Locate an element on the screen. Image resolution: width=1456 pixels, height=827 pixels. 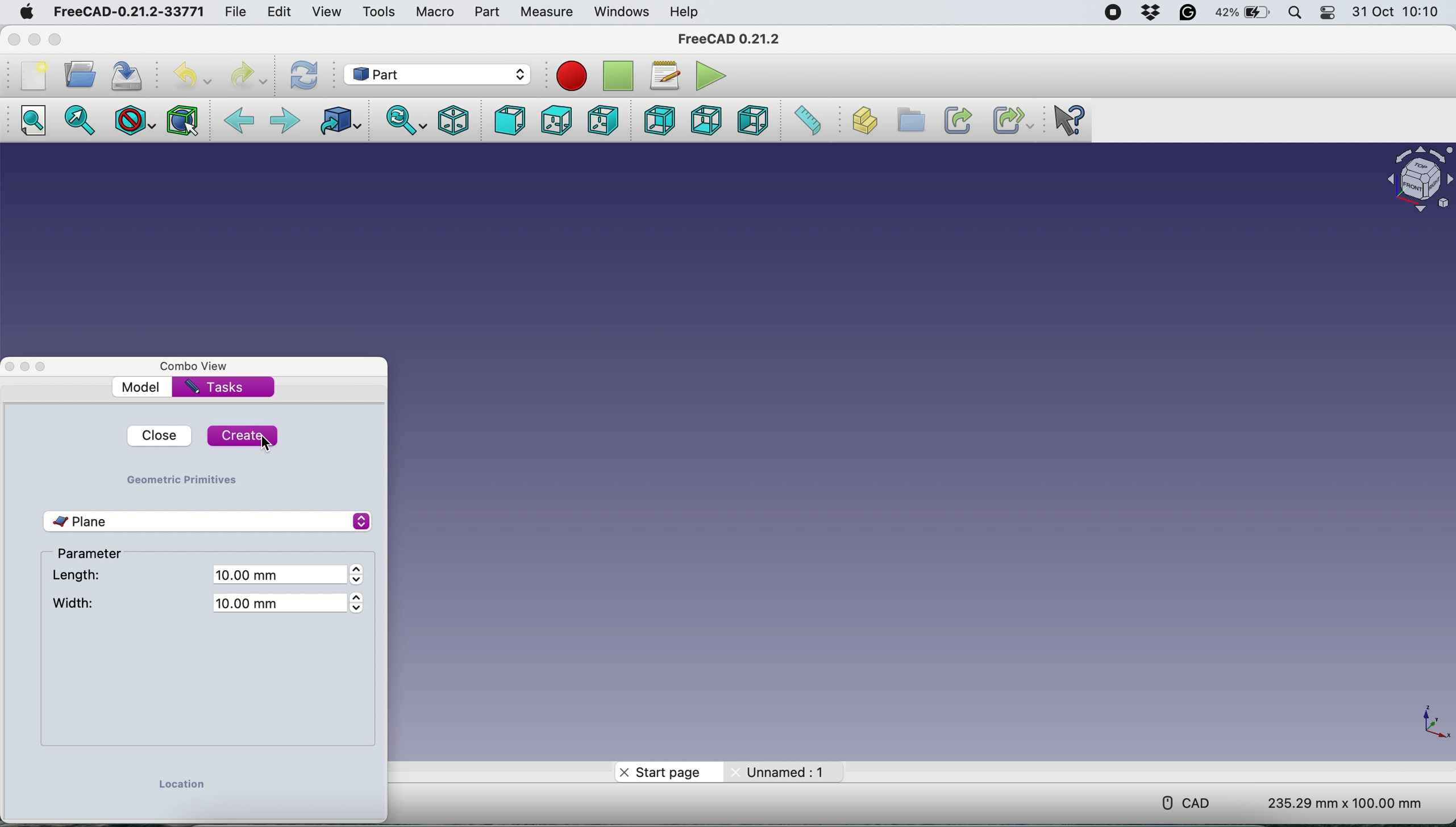
Maximize is located at coordinates (45, 365).